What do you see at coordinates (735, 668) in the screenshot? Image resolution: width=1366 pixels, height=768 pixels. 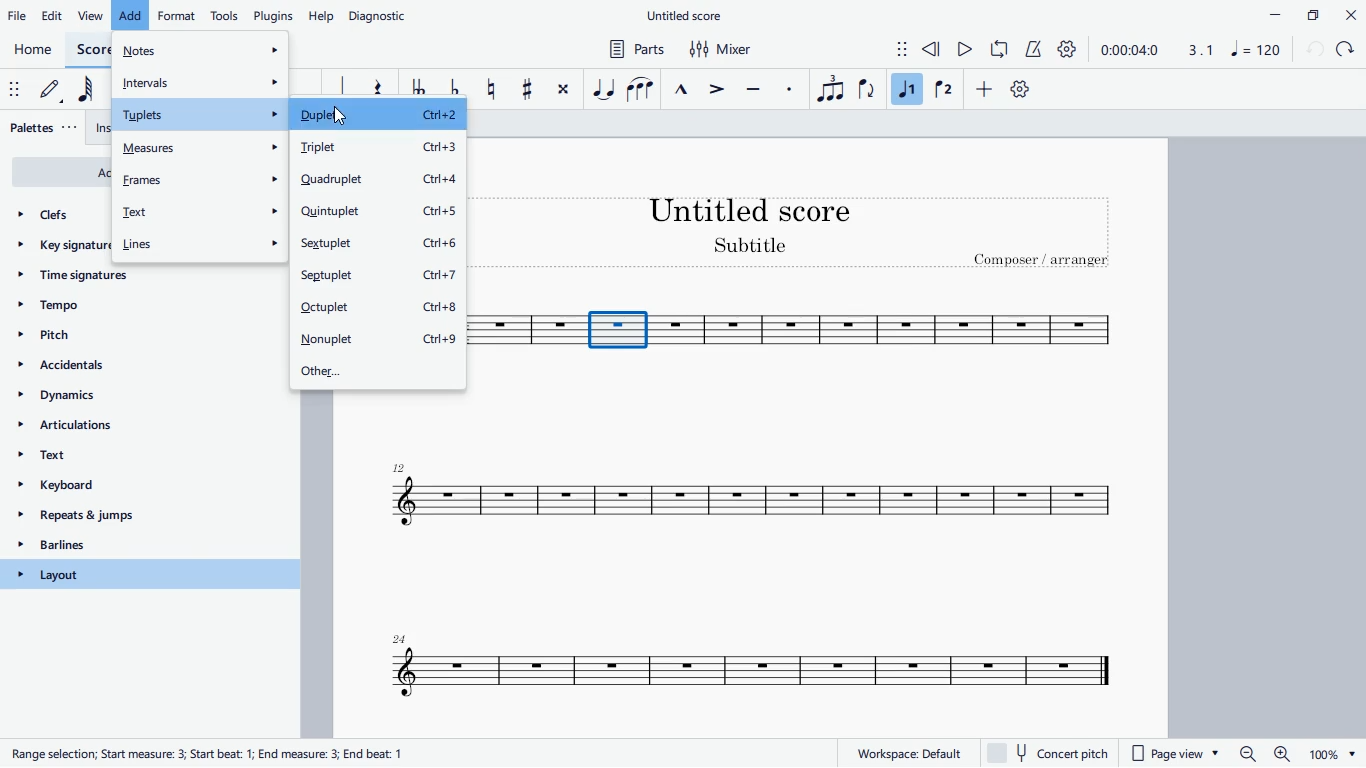 I see `score` at bounding box center [735, 668].